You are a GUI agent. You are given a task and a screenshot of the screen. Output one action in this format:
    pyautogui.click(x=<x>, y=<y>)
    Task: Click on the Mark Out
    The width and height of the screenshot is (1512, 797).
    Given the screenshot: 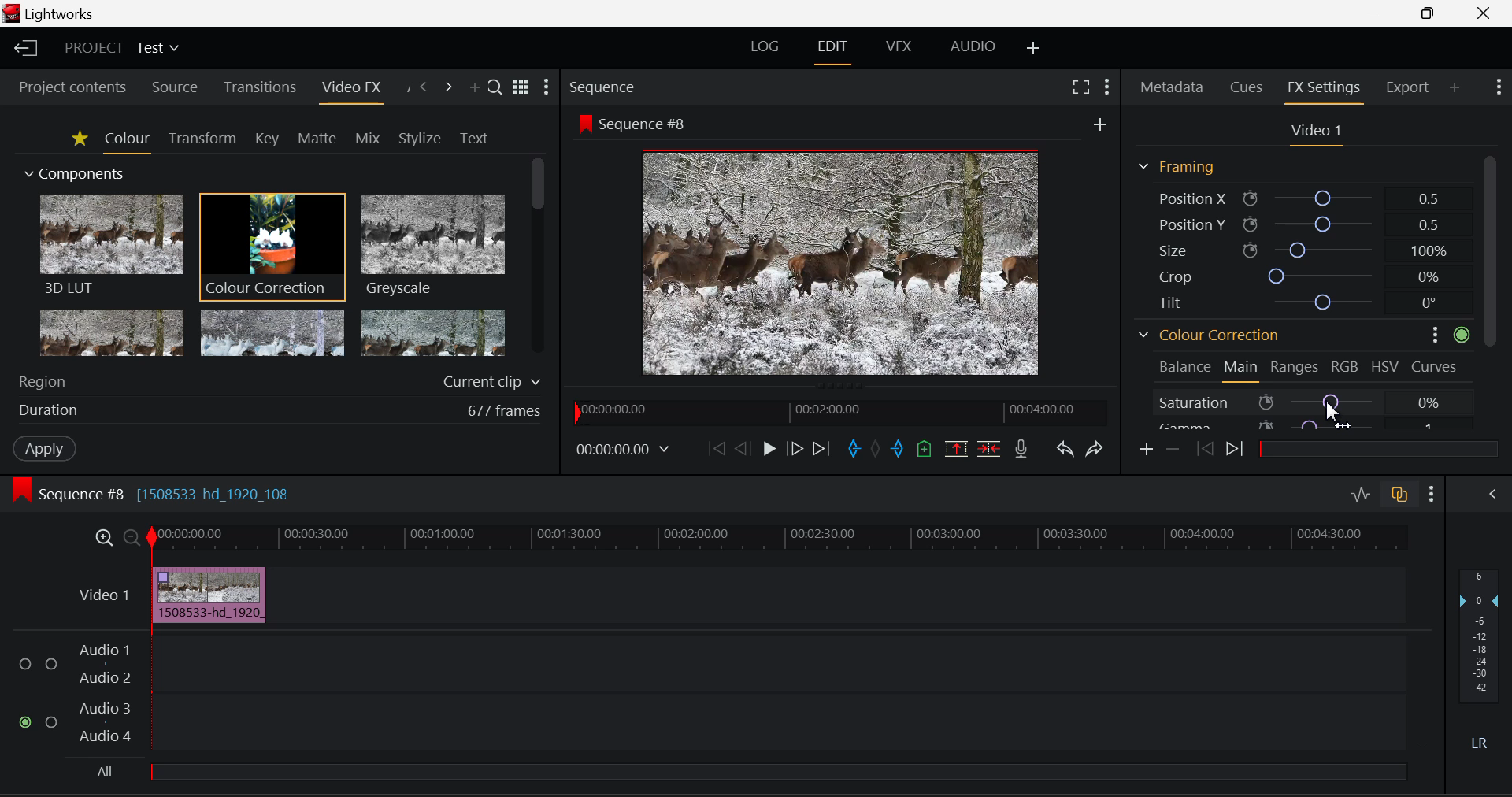 What is the action you would take?
    pyautogui.click(x=898, y=449)
    